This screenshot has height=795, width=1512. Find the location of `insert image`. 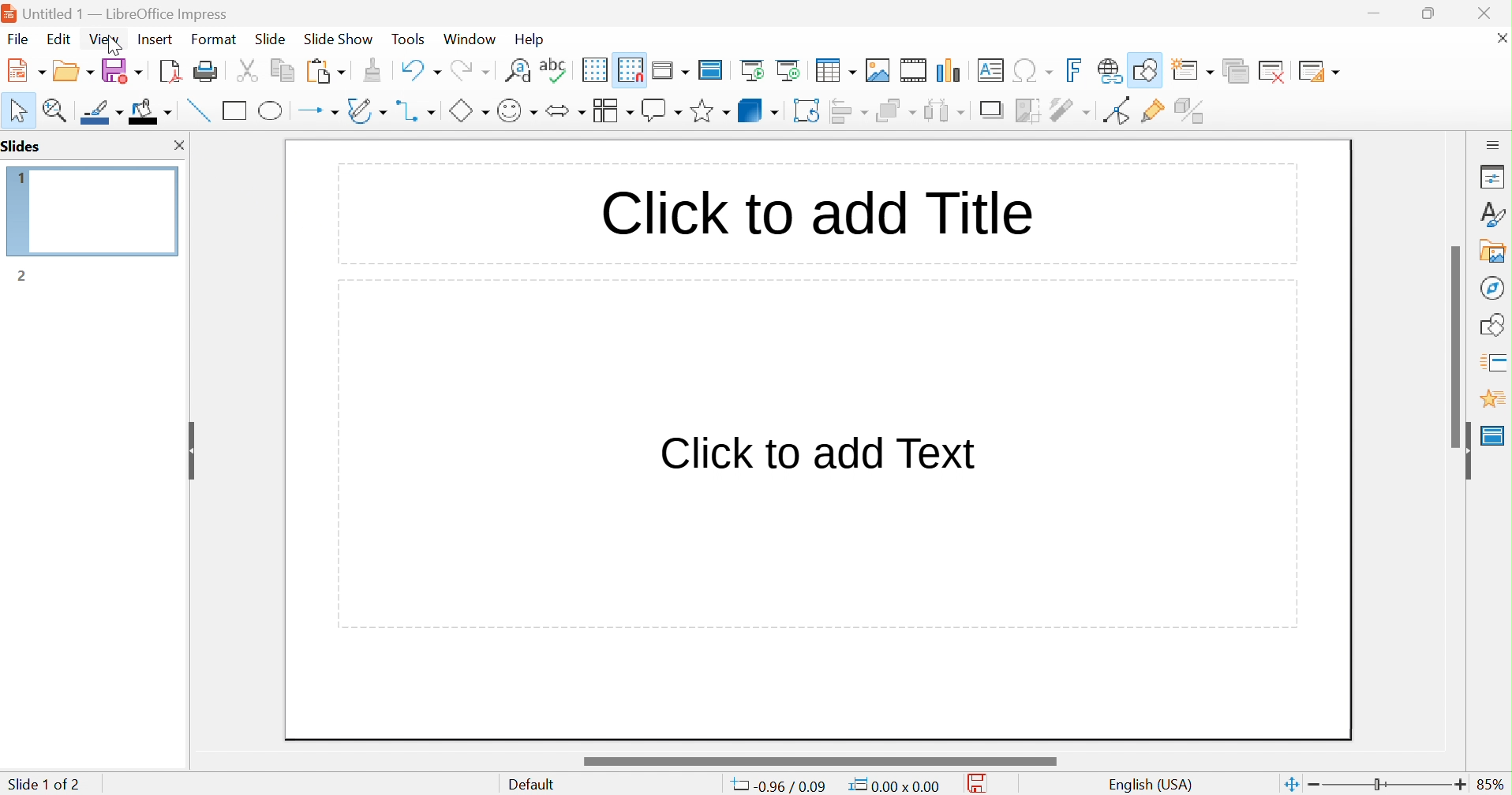

insert image is located at coordinates (878, 70).